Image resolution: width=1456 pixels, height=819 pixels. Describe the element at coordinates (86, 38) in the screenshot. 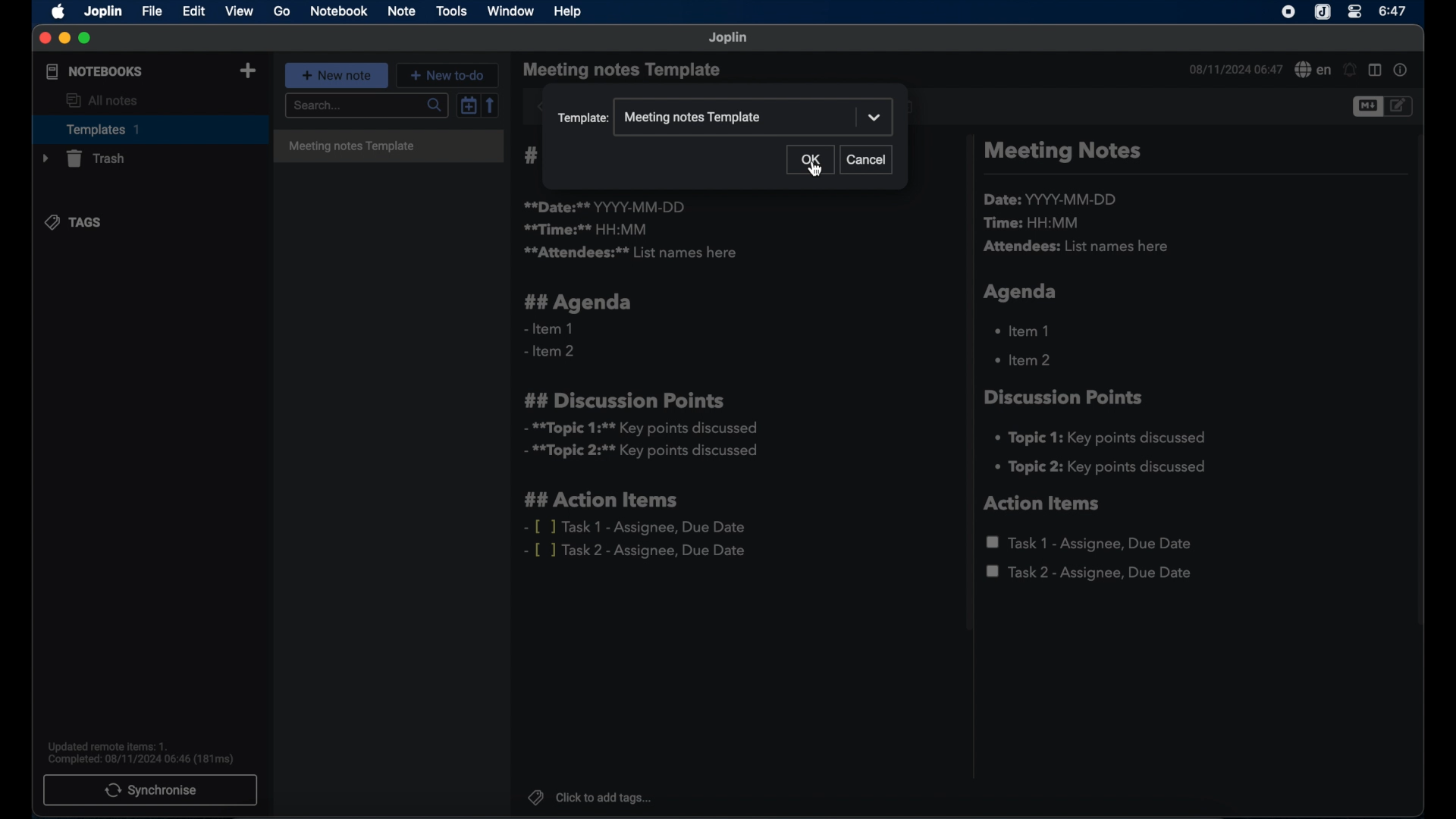

I see `maximize` at that location.